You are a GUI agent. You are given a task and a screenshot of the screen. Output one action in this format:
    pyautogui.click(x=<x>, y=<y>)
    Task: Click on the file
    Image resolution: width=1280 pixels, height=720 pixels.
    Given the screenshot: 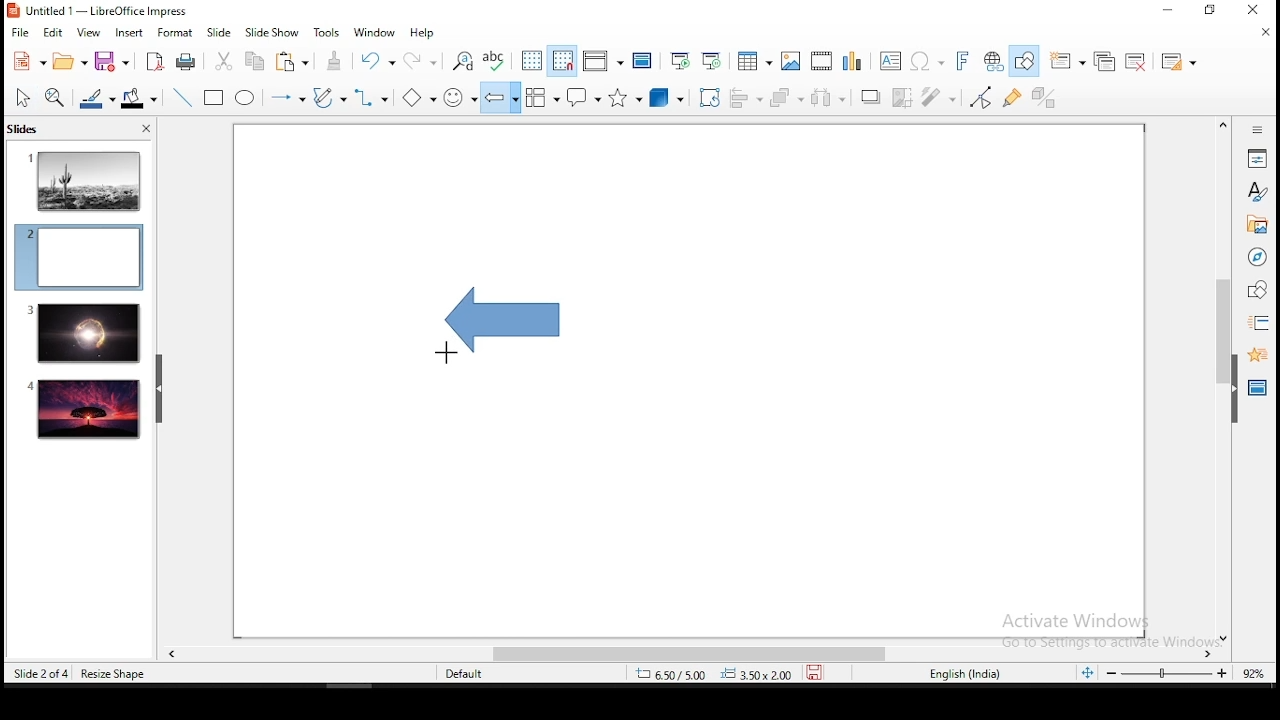 What is the action you would take?
    pyautogui.click(x=21, y=33)
    